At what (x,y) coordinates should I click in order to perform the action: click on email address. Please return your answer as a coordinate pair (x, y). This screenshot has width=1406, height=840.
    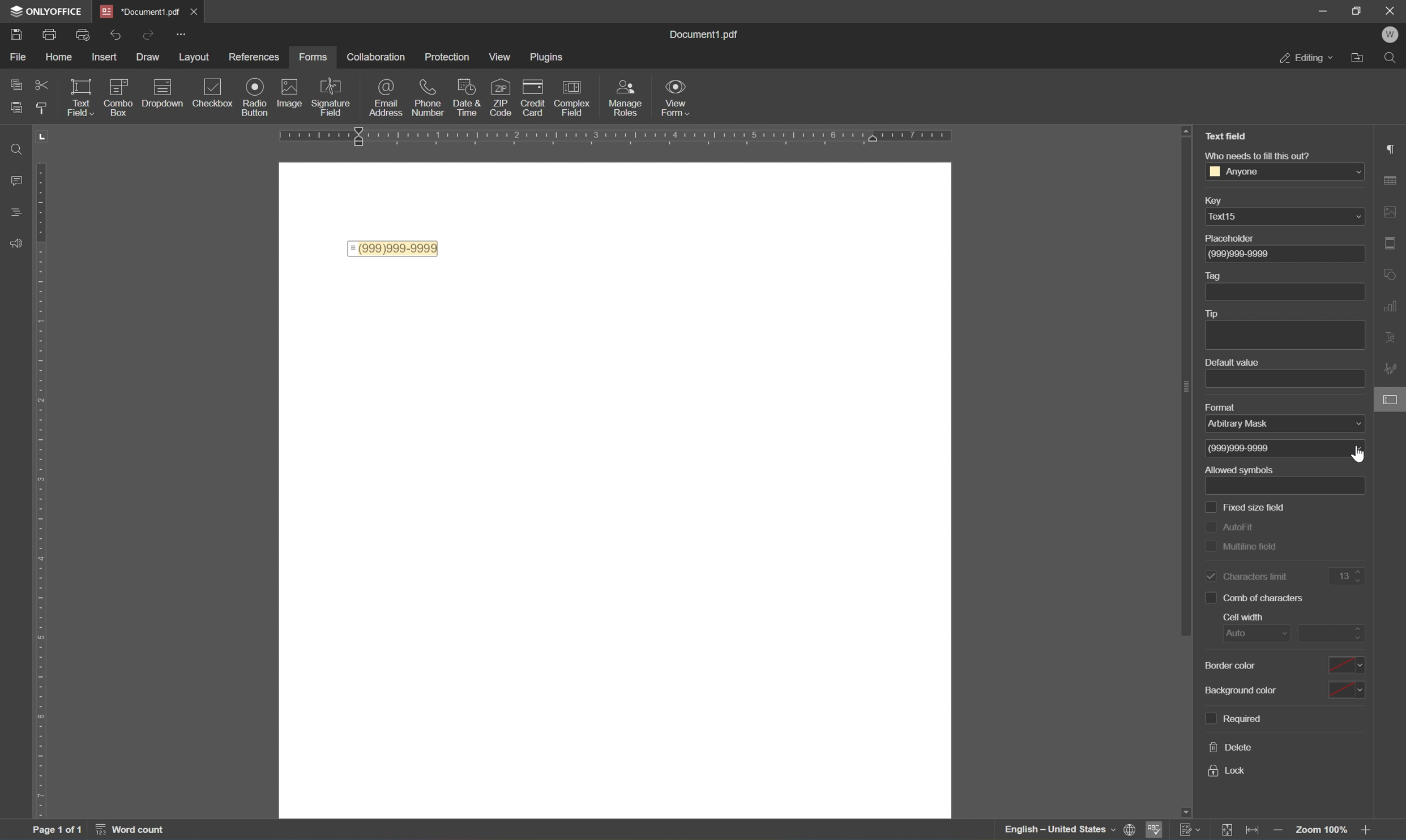
    Looking at the image, I should click on (385, 99).